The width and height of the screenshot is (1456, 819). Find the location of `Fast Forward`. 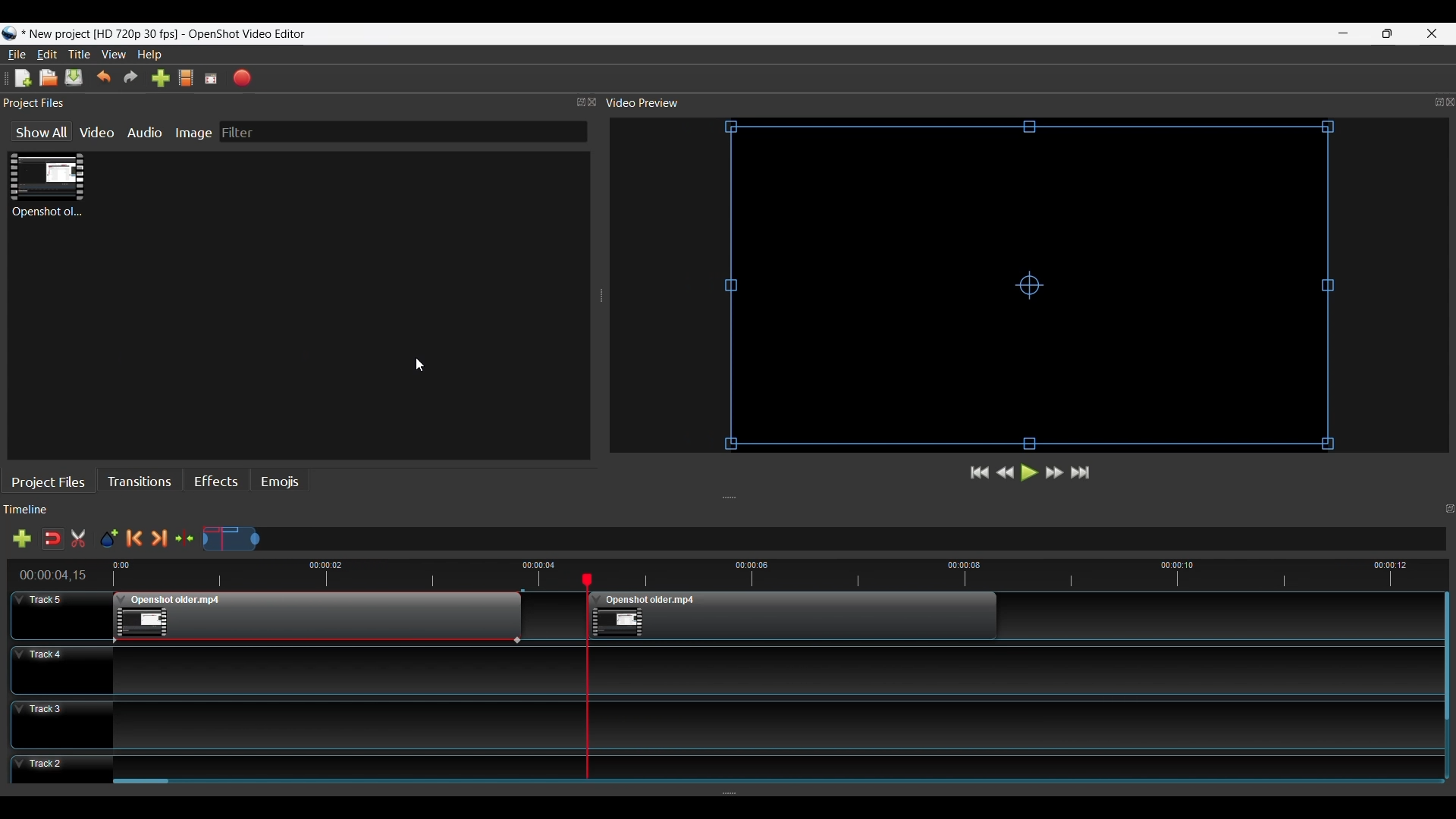

Fast Forward is located at coordinates (1055, 472).